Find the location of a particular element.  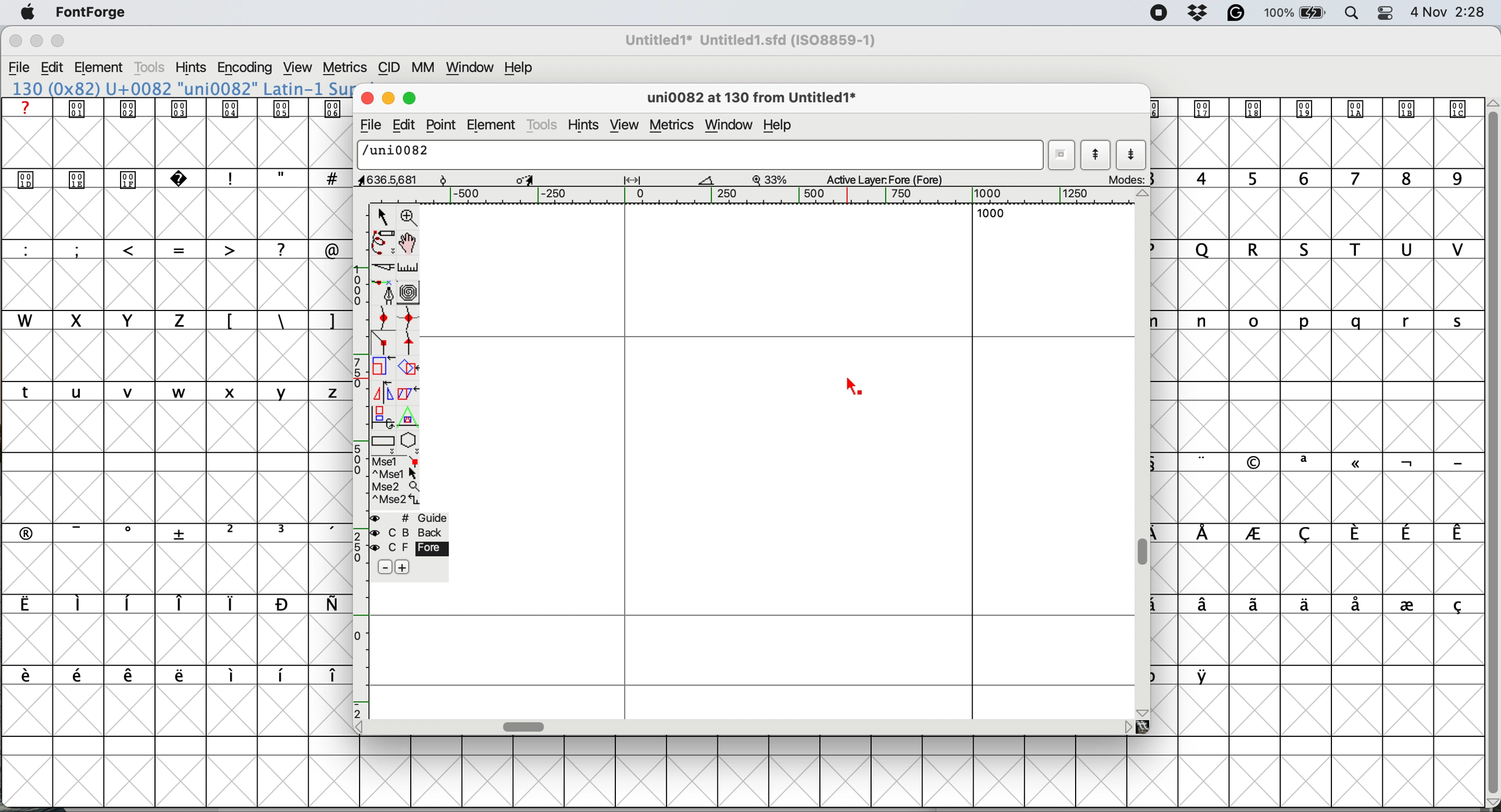

skew the selection is located at coordinates (406, 391).